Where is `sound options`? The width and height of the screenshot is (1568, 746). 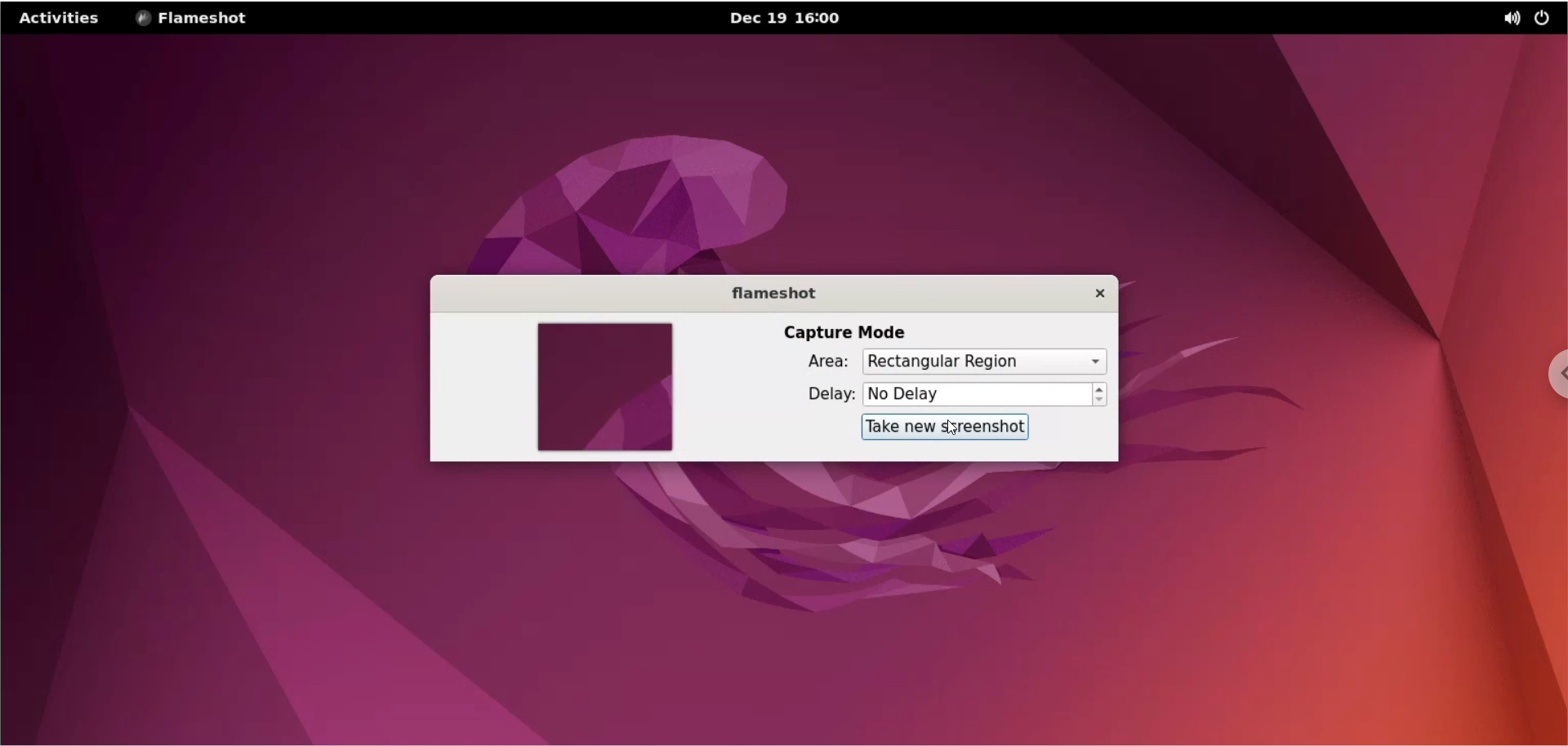
sound options is located at coordinates (1510, 20).